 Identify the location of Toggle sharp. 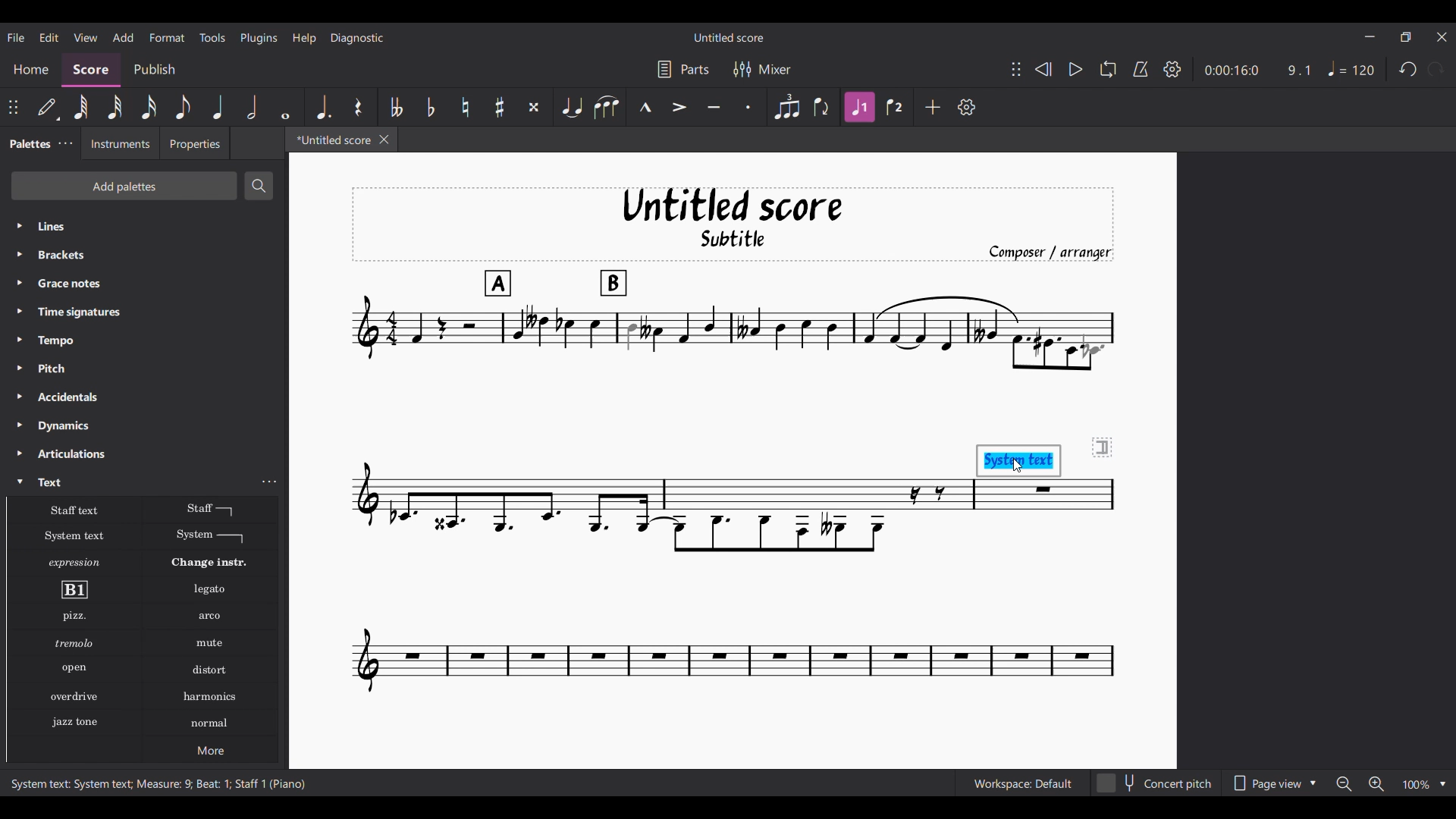
(499, 107).